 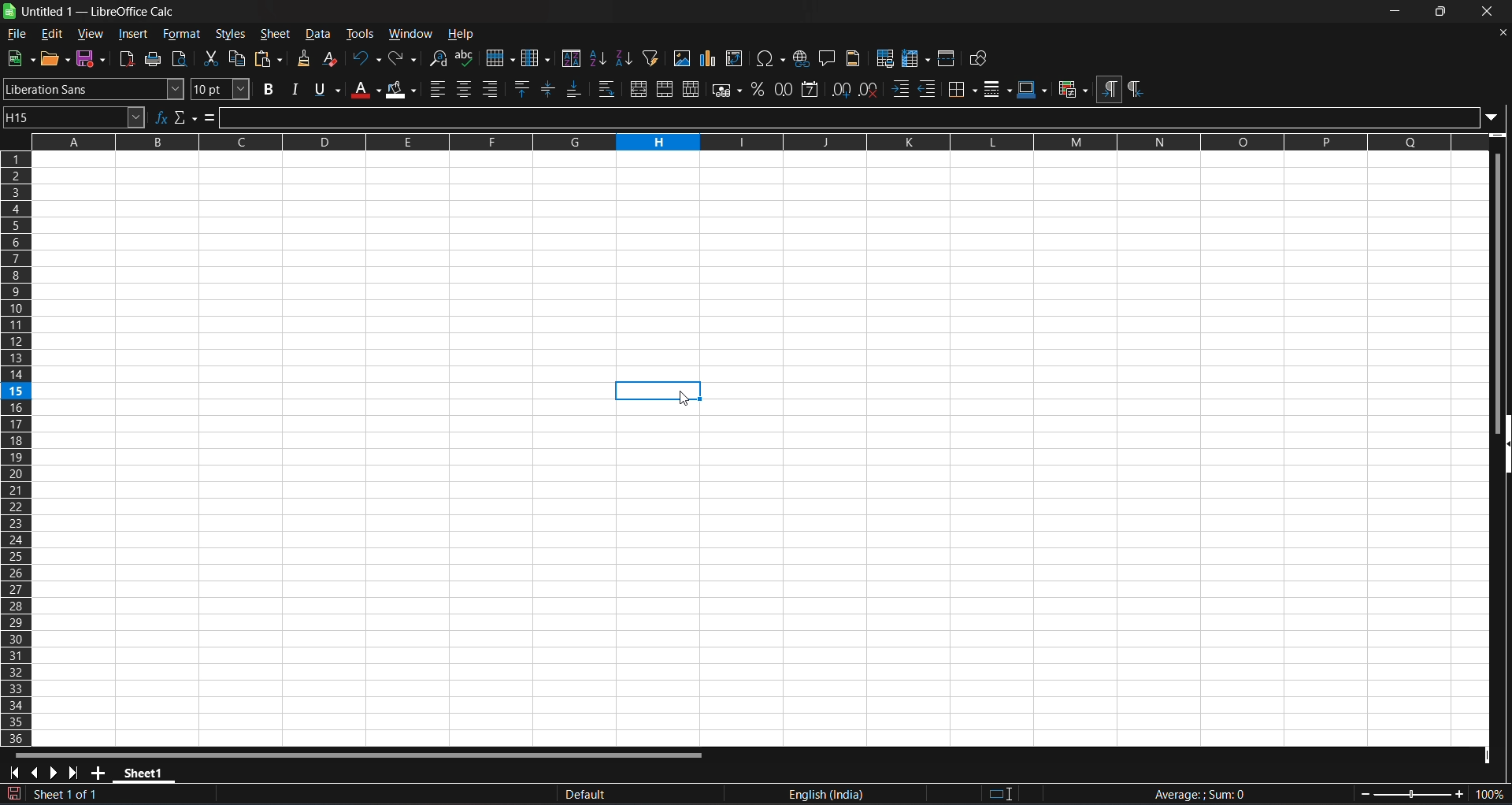 I want to click on format as percent, so click(x=757, y=89).